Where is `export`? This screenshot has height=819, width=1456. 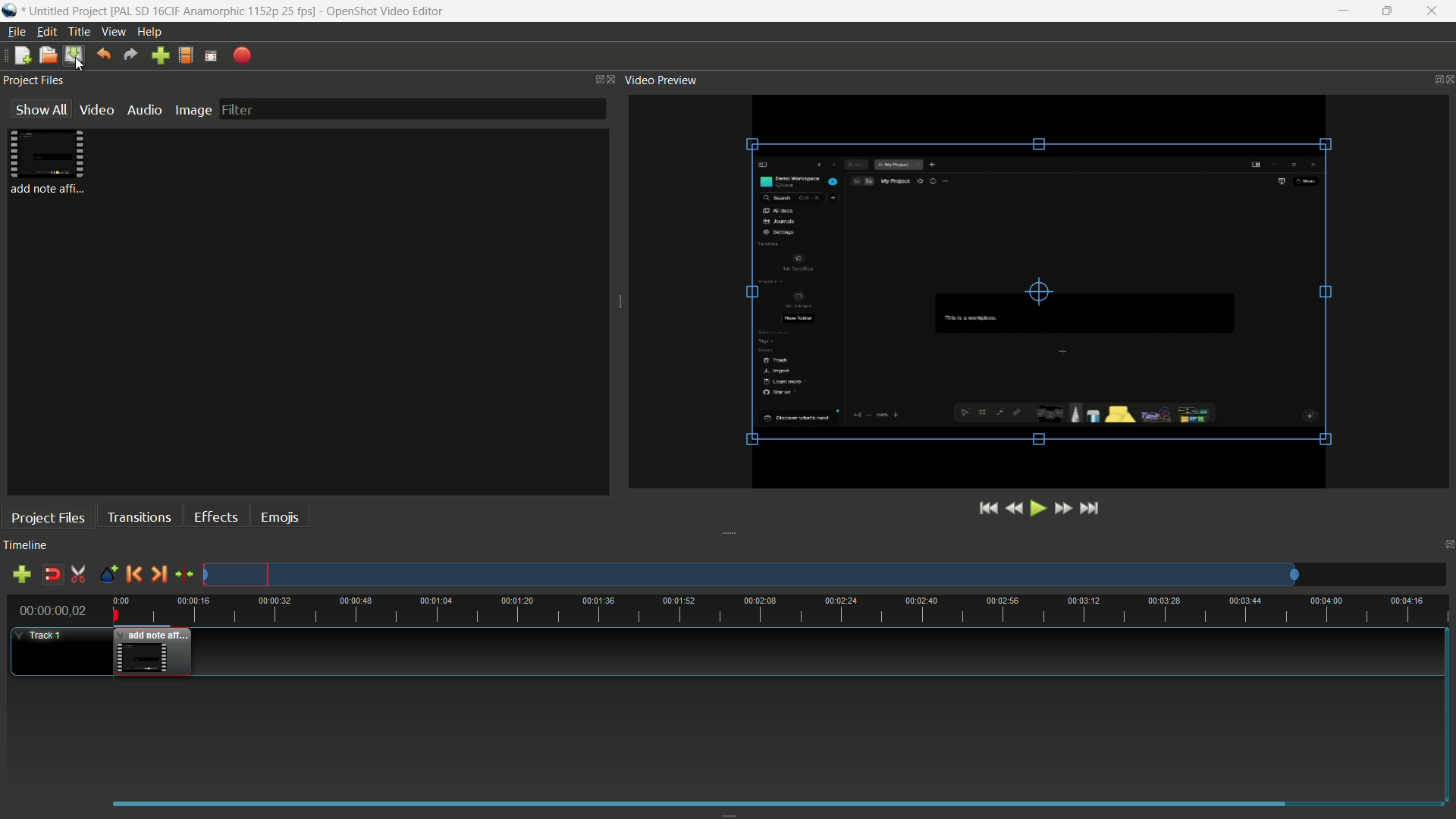 export is located at coordinates (241, 56).